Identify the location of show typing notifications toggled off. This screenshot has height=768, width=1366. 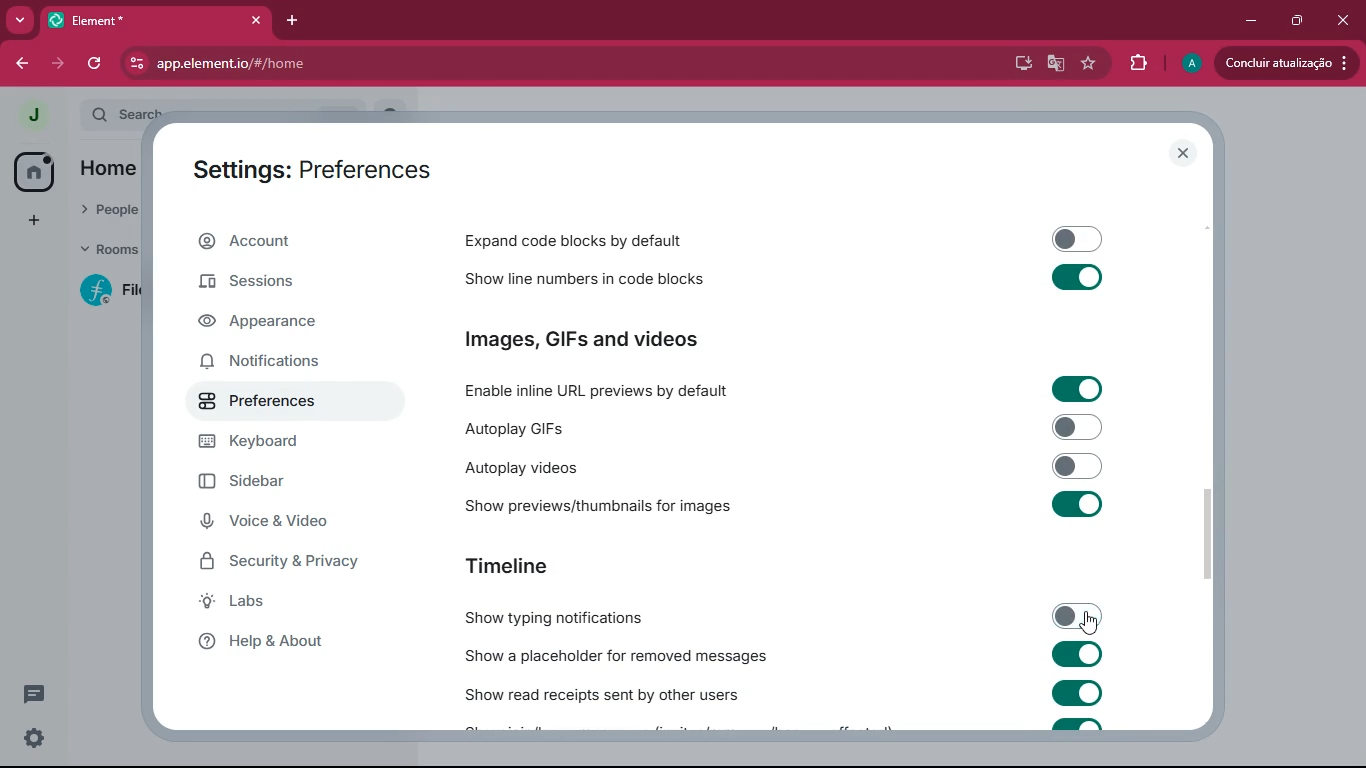
(1077, 615).